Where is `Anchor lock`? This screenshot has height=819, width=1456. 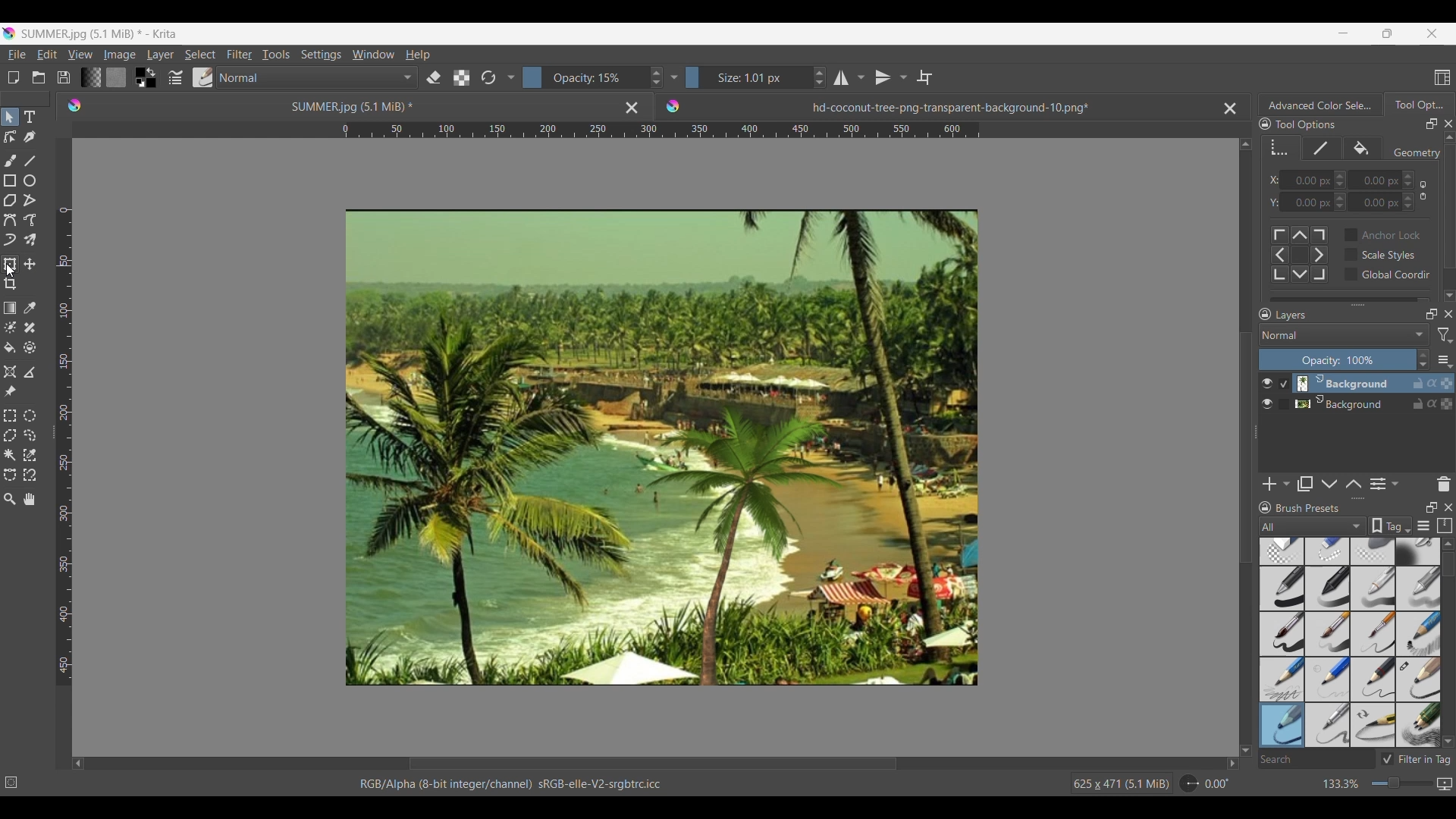 Anchor lock is located at coordinates (1382, 234).